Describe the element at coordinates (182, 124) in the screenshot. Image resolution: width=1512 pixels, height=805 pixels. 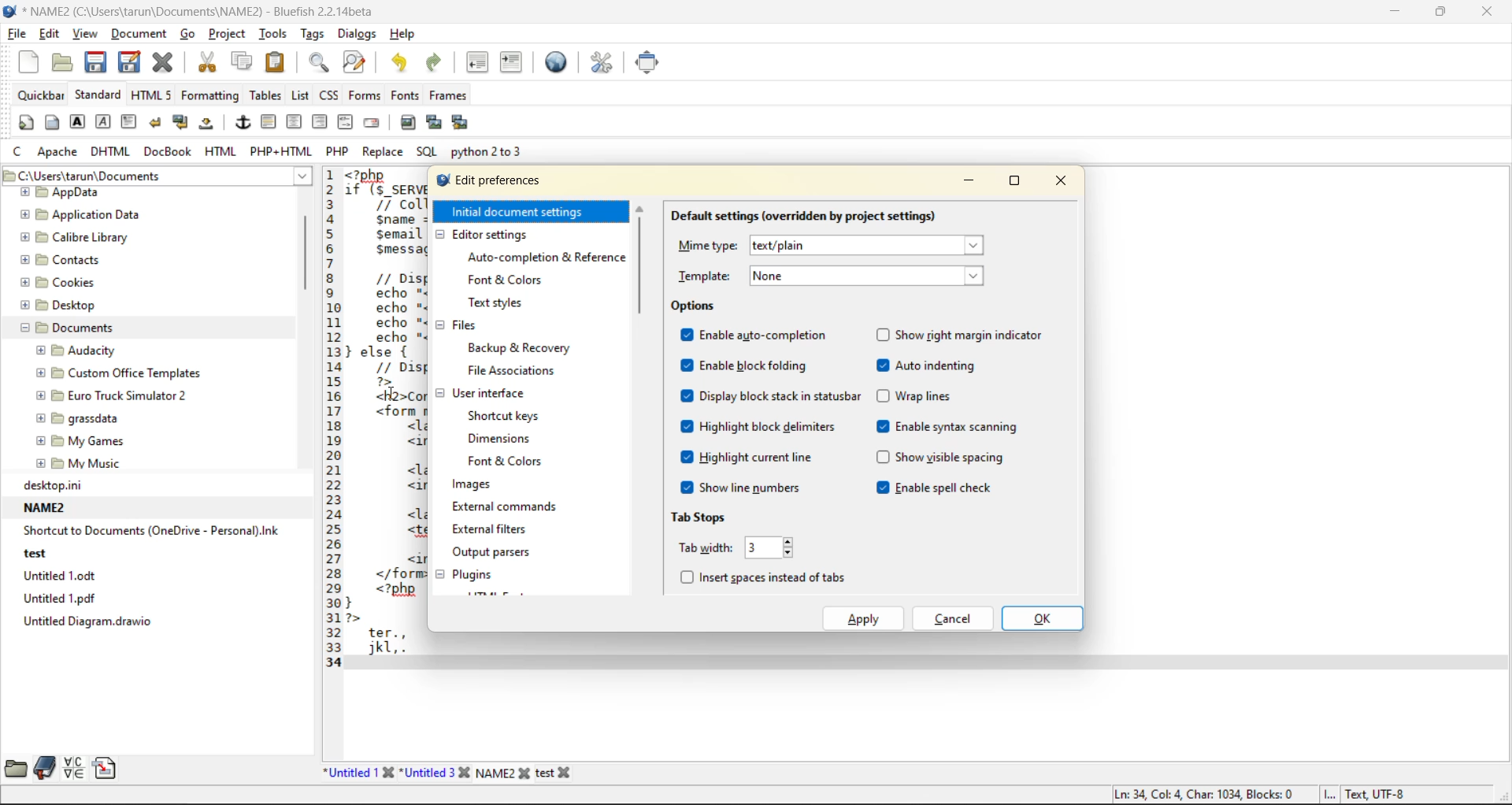
I see `break and clear` at that location.